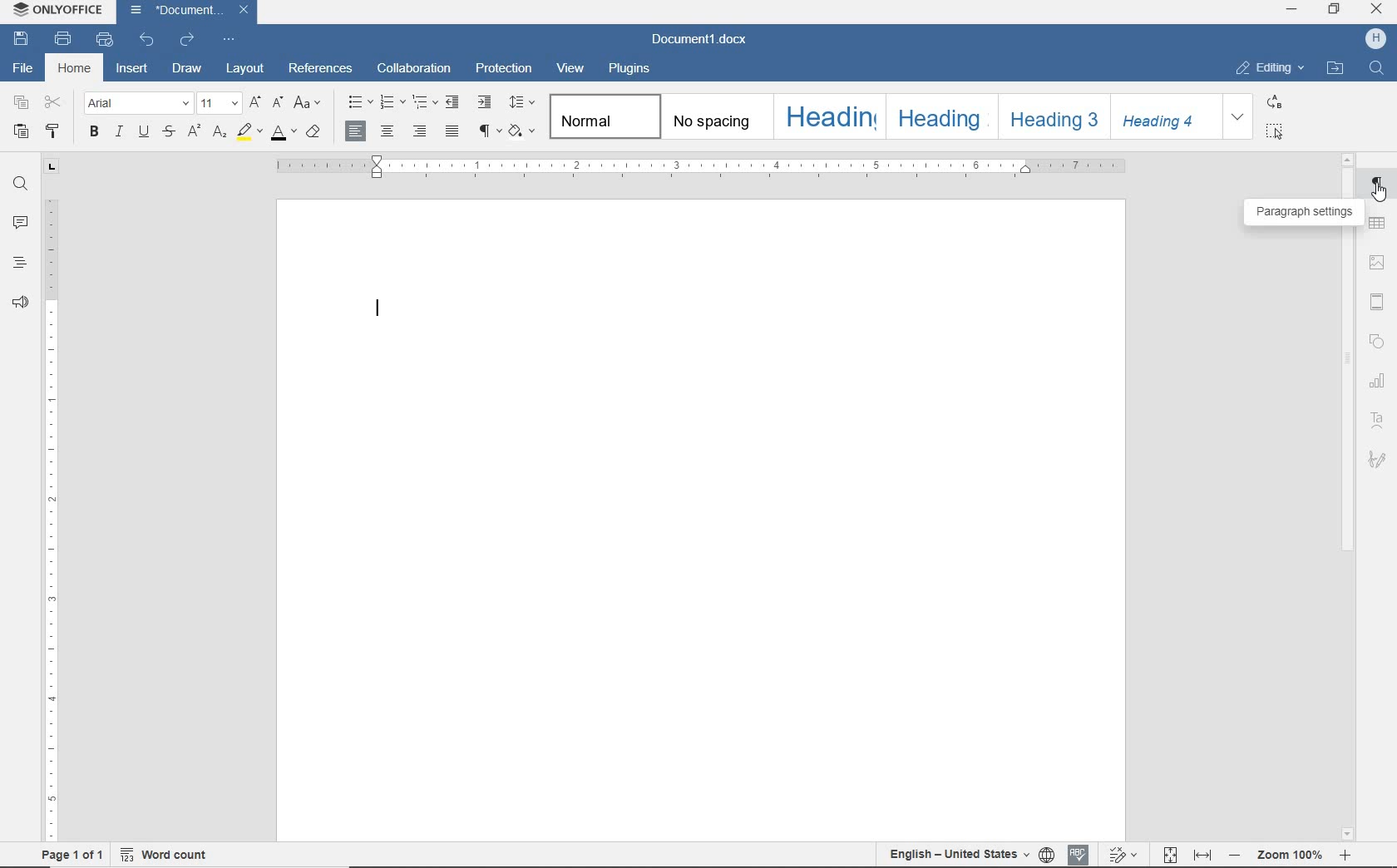 The height and width of the screenshot is (868, 1397). I want to click on superscript, so click(193, 133).